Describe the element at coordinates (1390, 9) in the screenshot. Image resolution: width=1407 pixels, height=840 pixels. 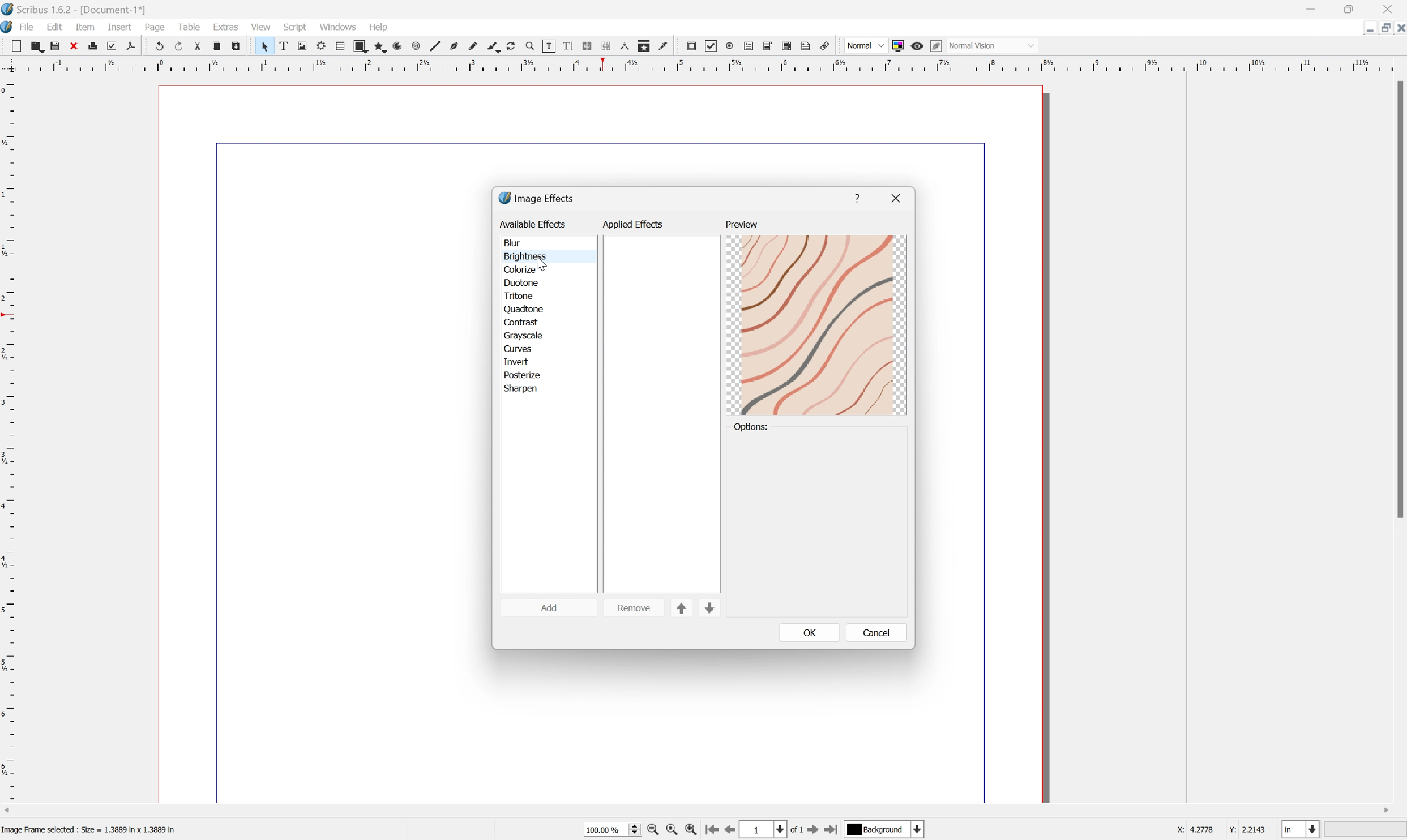
I see `Close` at that location.